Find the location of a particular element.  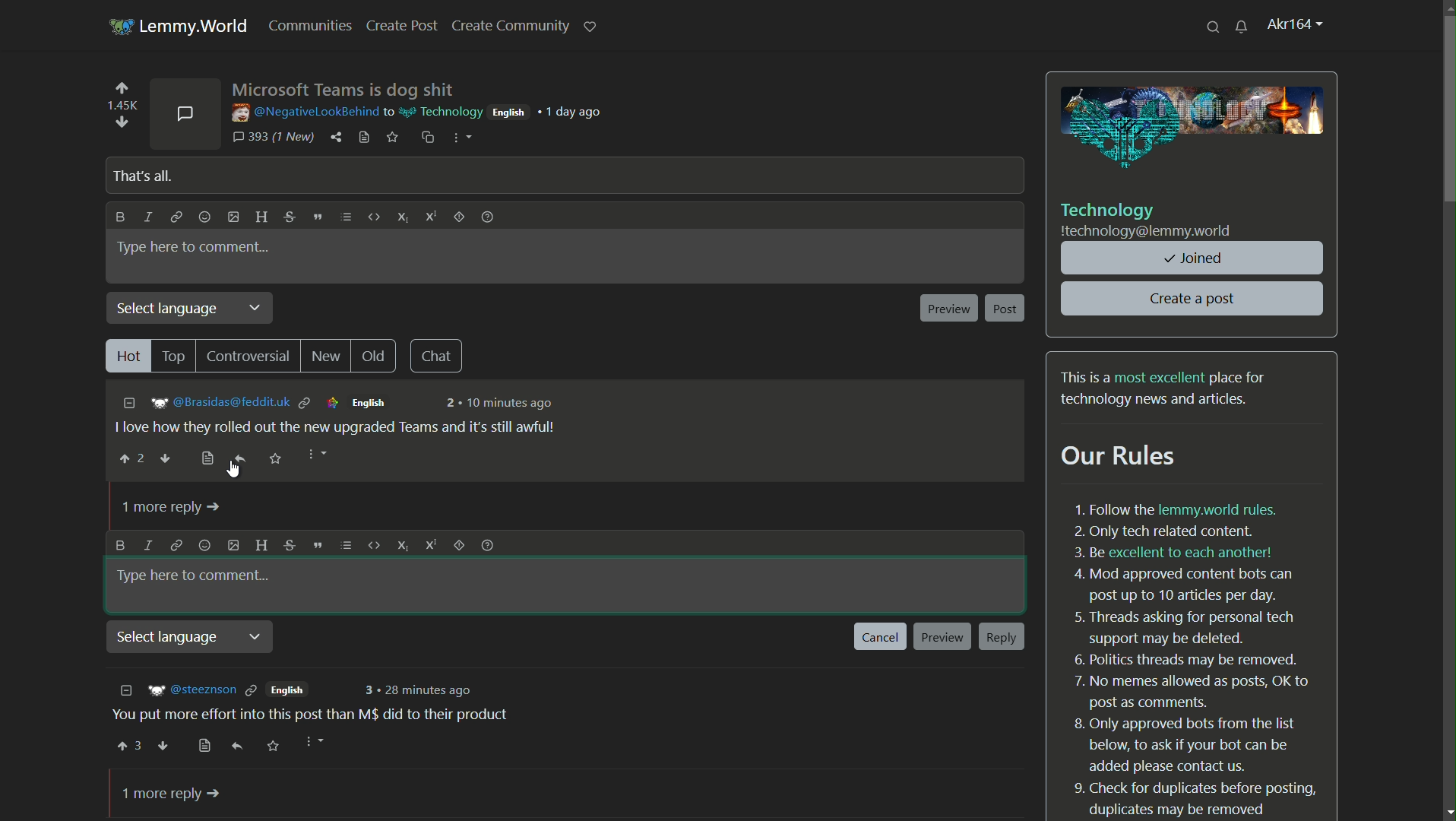

save is located at coordinates (275, 458).